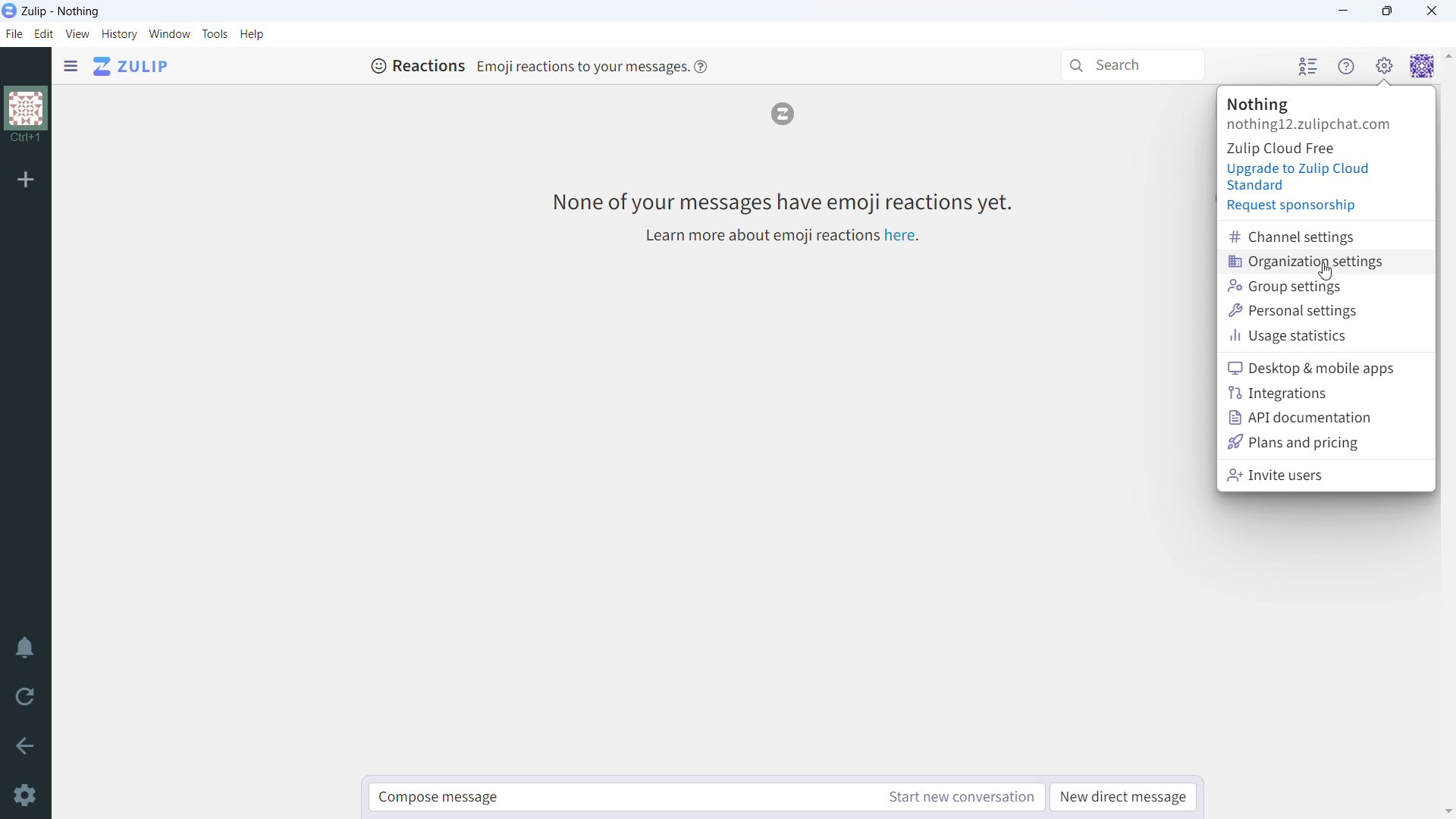  I want to click on scroll down, so click(1447, 811).